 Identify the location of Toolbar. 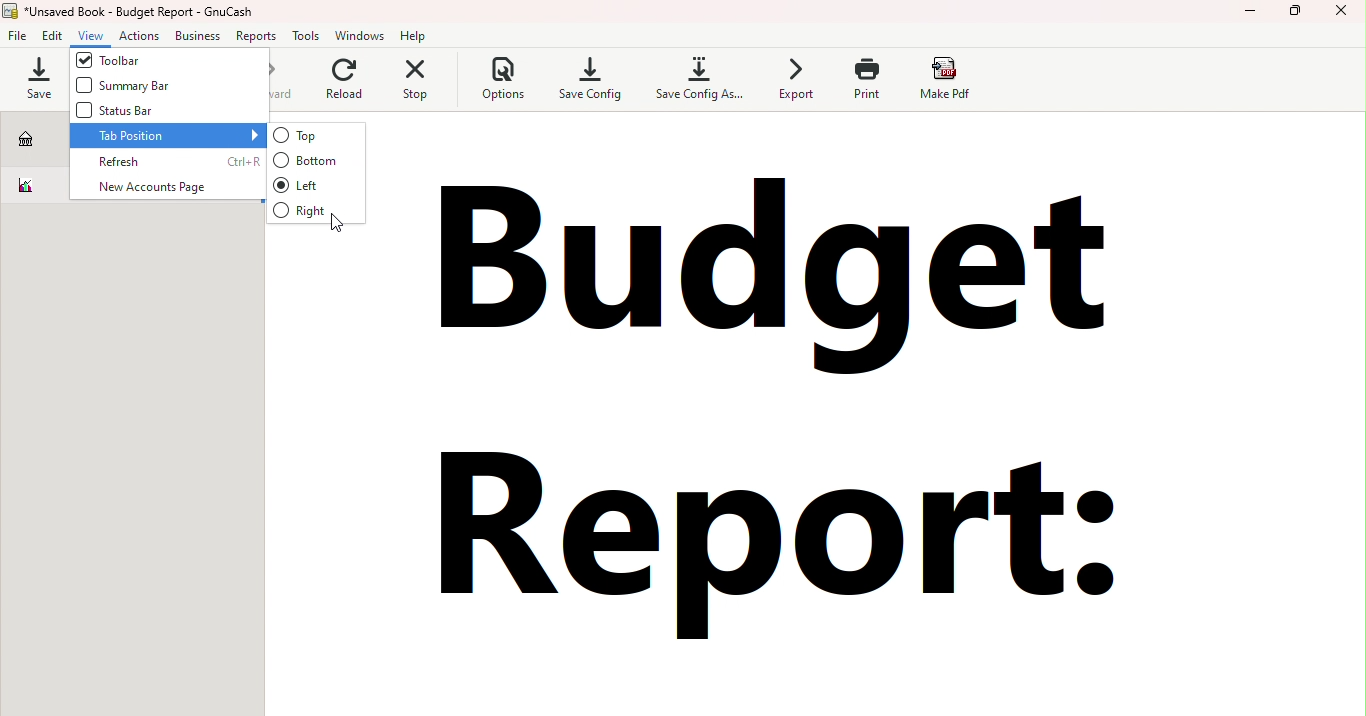
(167, 61).